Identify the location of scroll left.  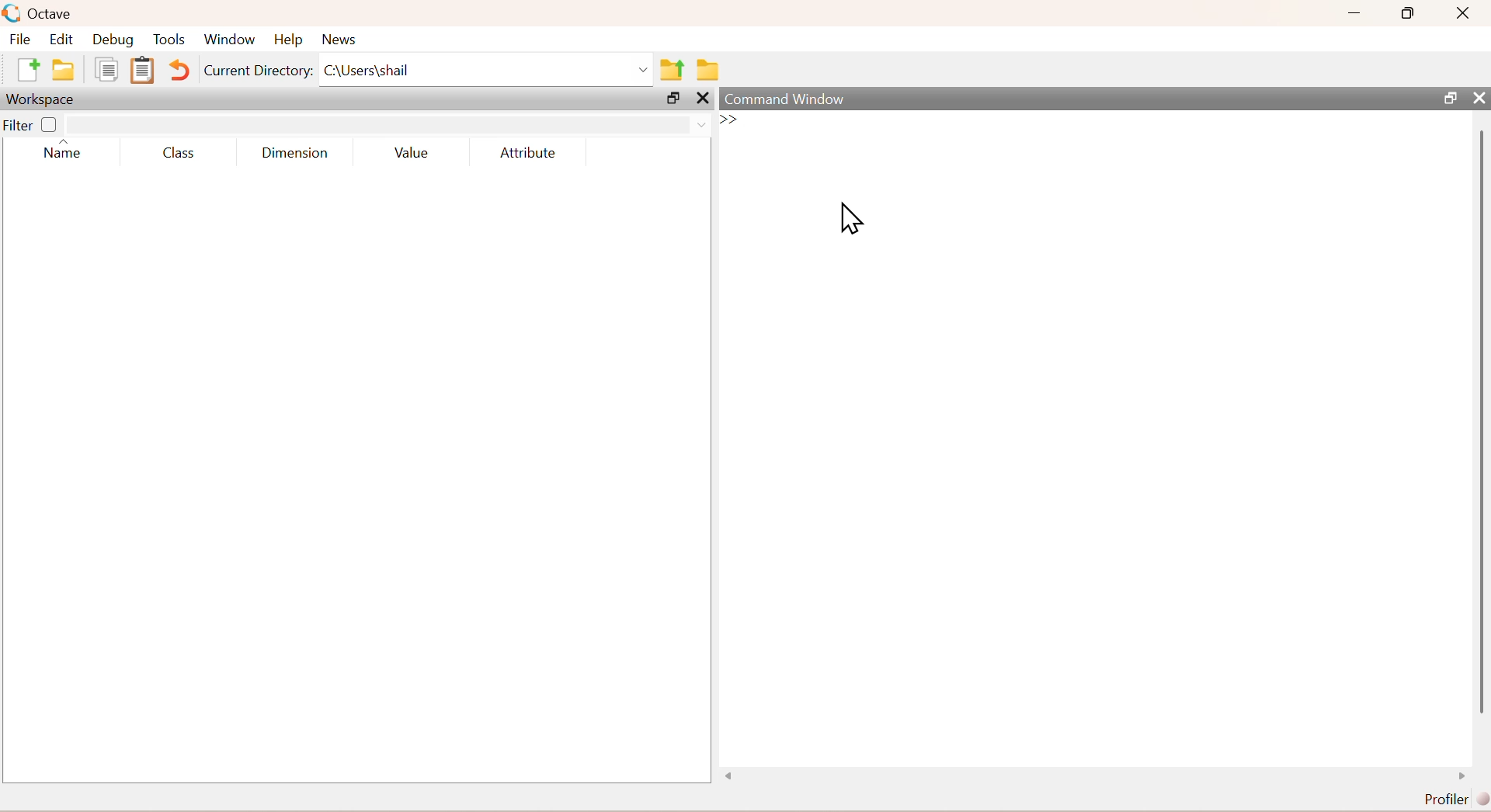
(730, 776).